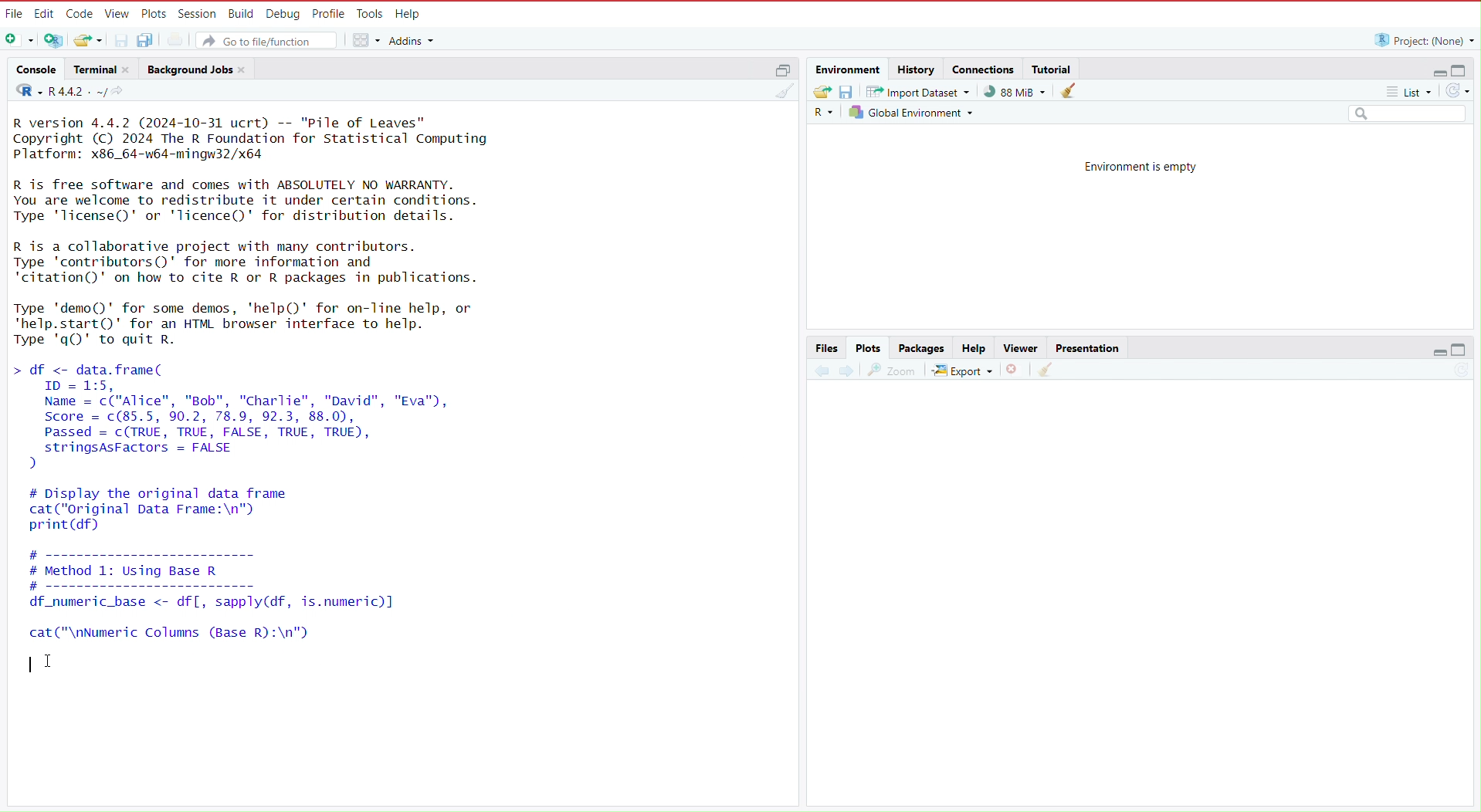  I want to click on Environment is empty, so click(1140, 169).